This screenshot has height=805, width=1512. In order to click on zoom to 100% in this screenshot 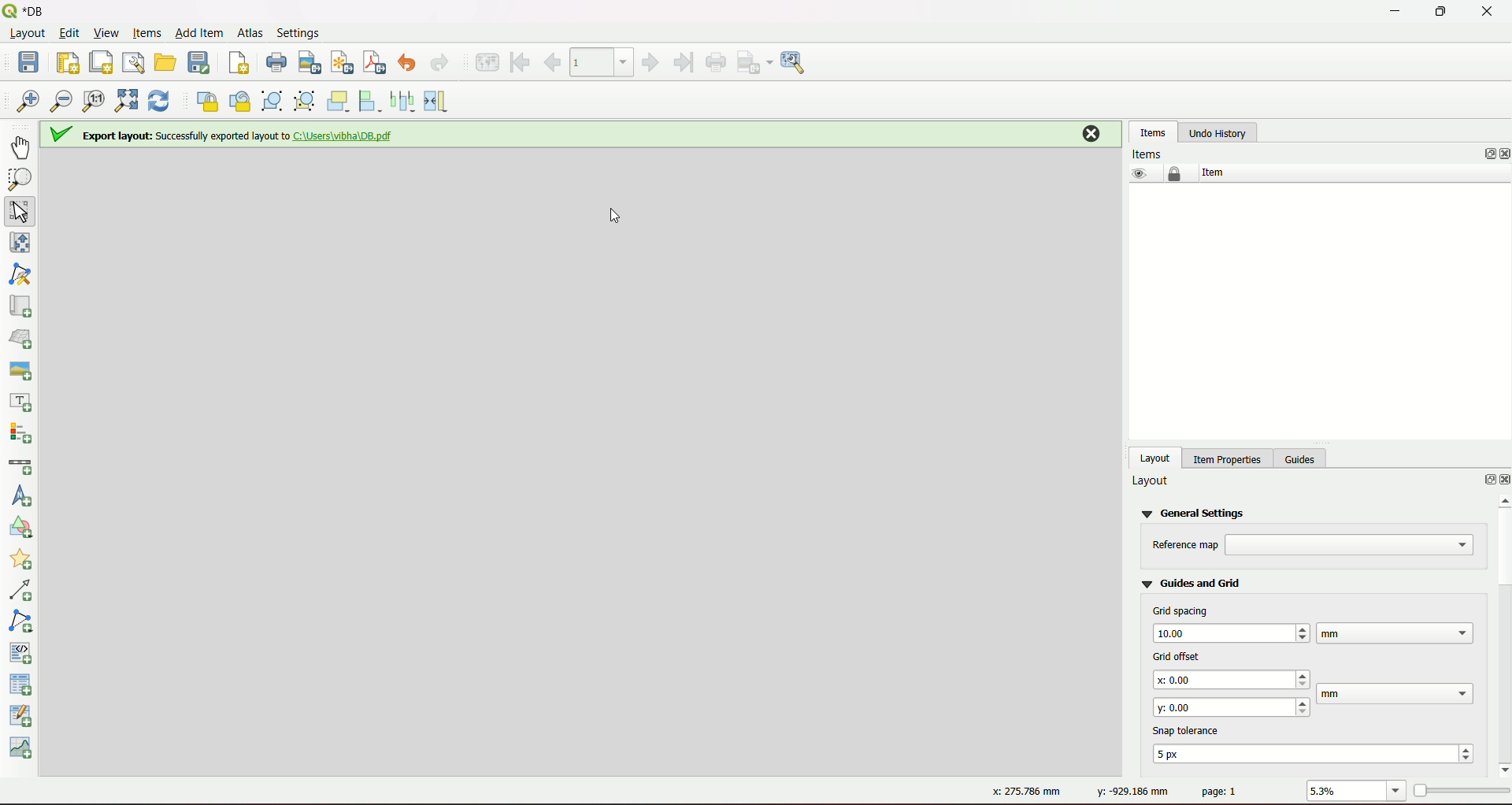, I will do `click(94, 103)`.